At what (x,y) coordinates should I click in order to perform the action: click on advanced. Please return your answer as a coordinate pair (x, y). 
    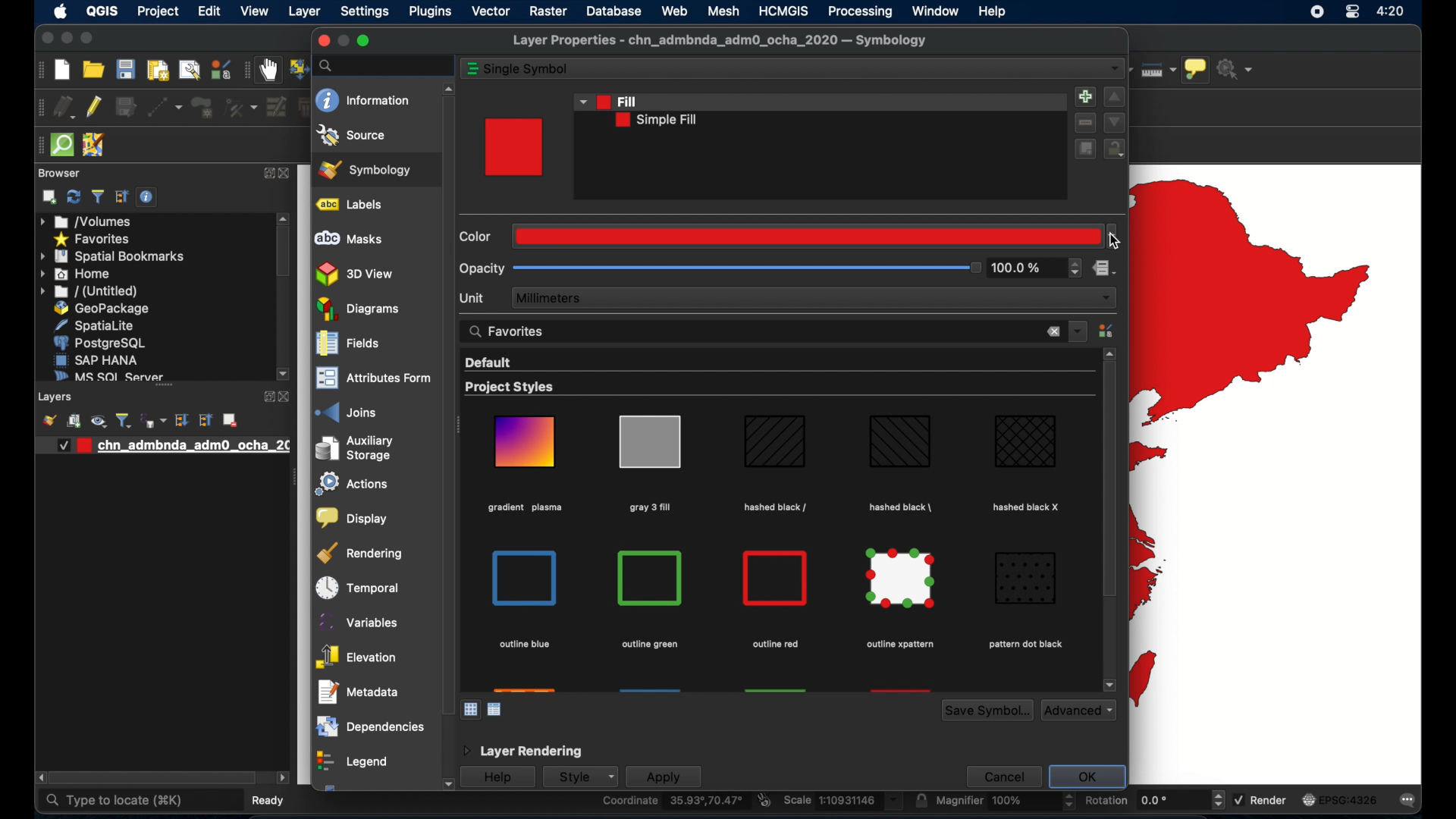
    Looking at the image, I should click on (1079, 710).